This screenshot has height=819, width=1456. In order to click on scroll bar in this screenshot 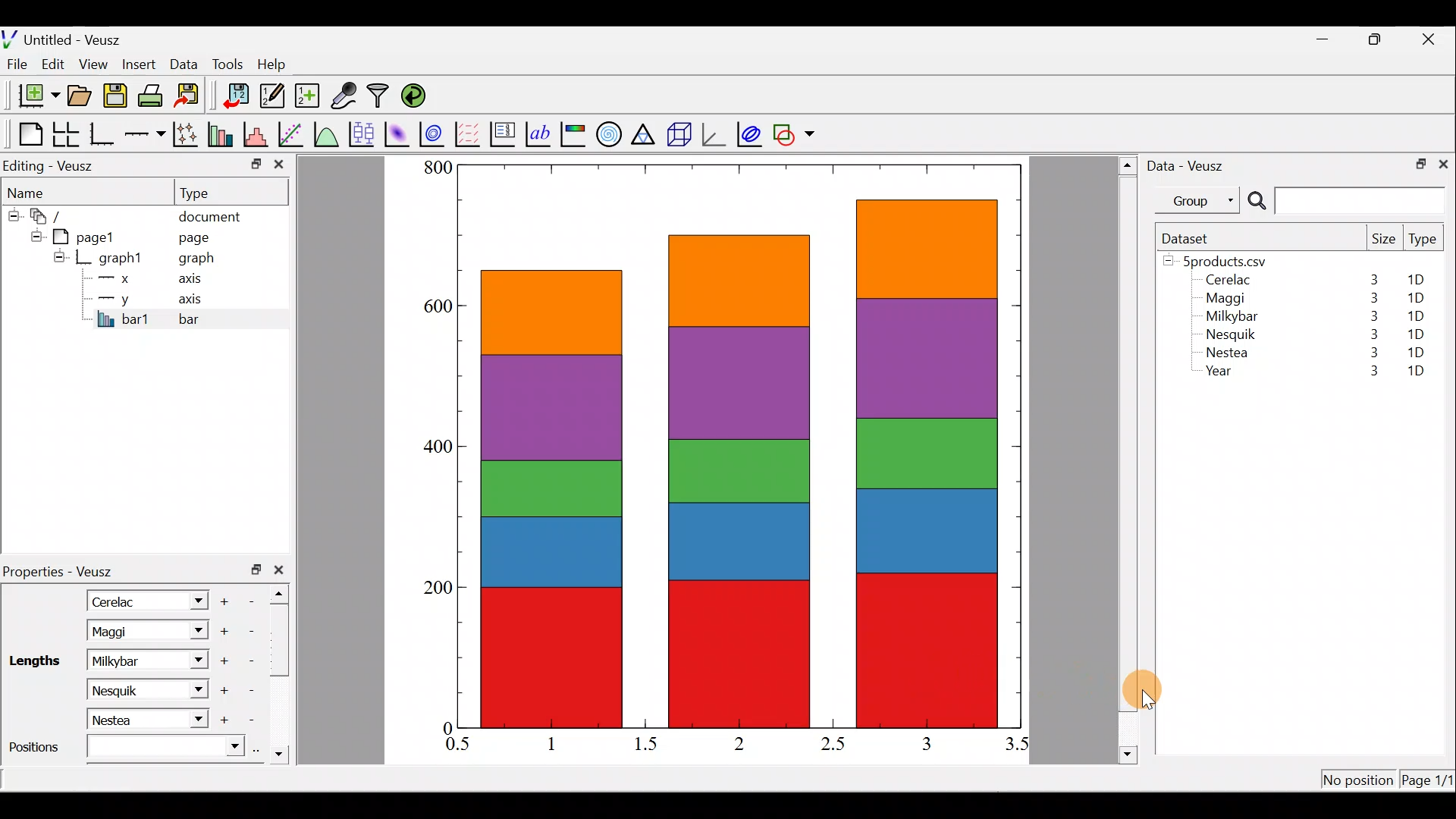, I will do `click(1128, 457)`.